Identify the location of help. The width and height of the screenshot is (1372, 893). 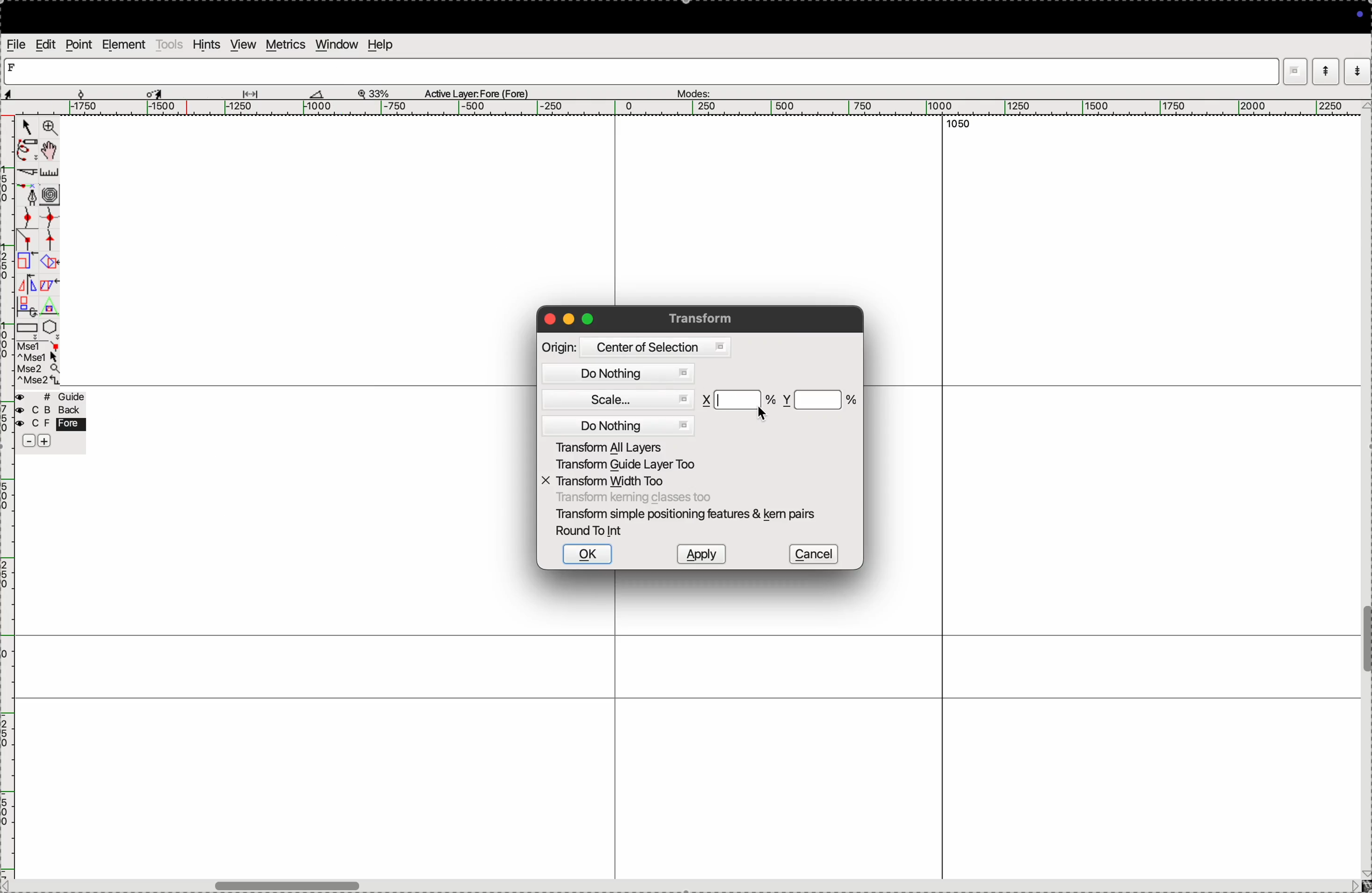
(379, 44).